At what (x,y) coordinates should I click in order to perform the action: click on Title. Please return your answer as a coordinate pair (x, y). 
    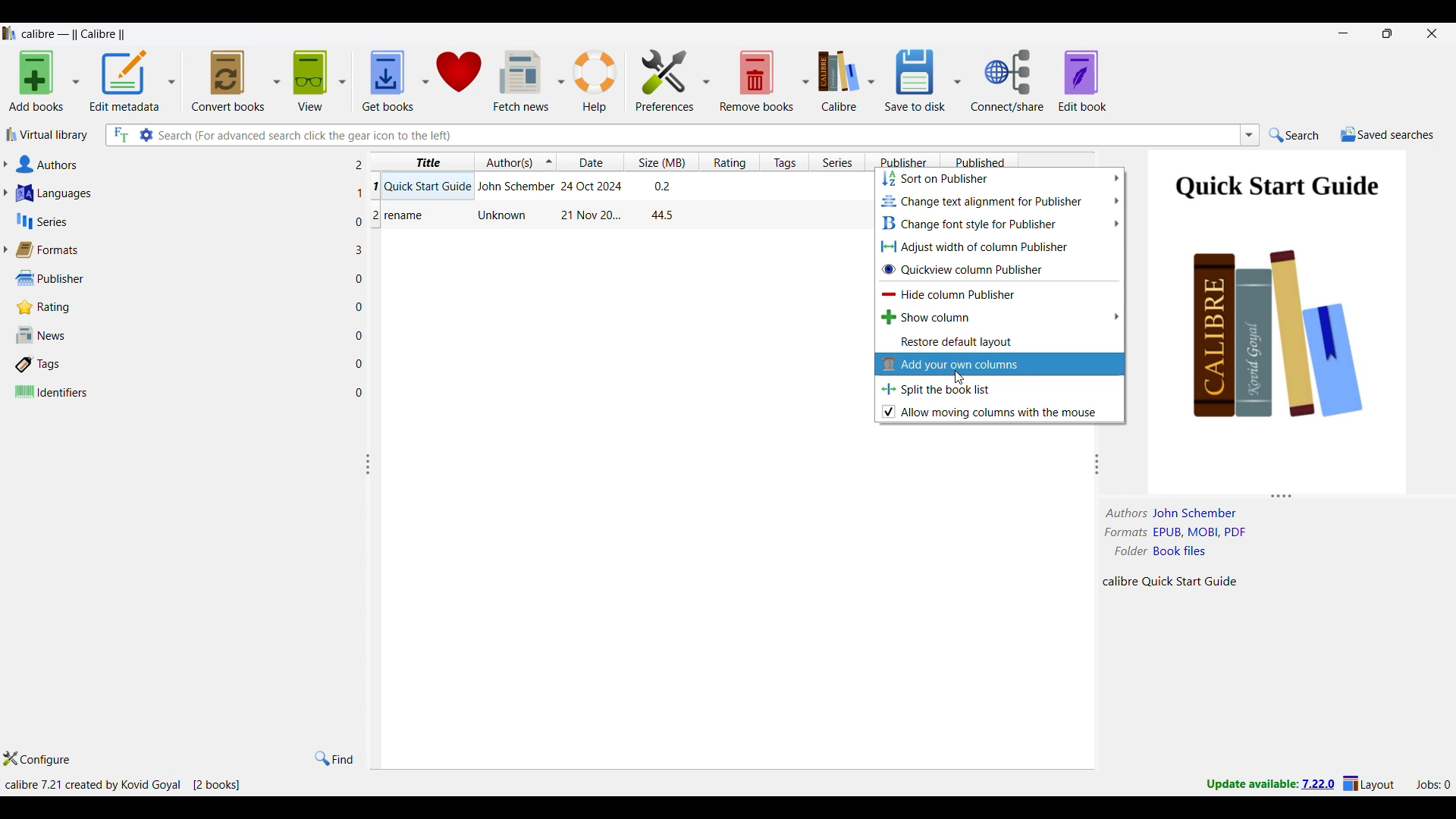
    Looking at the image, I should click on (428, 185).